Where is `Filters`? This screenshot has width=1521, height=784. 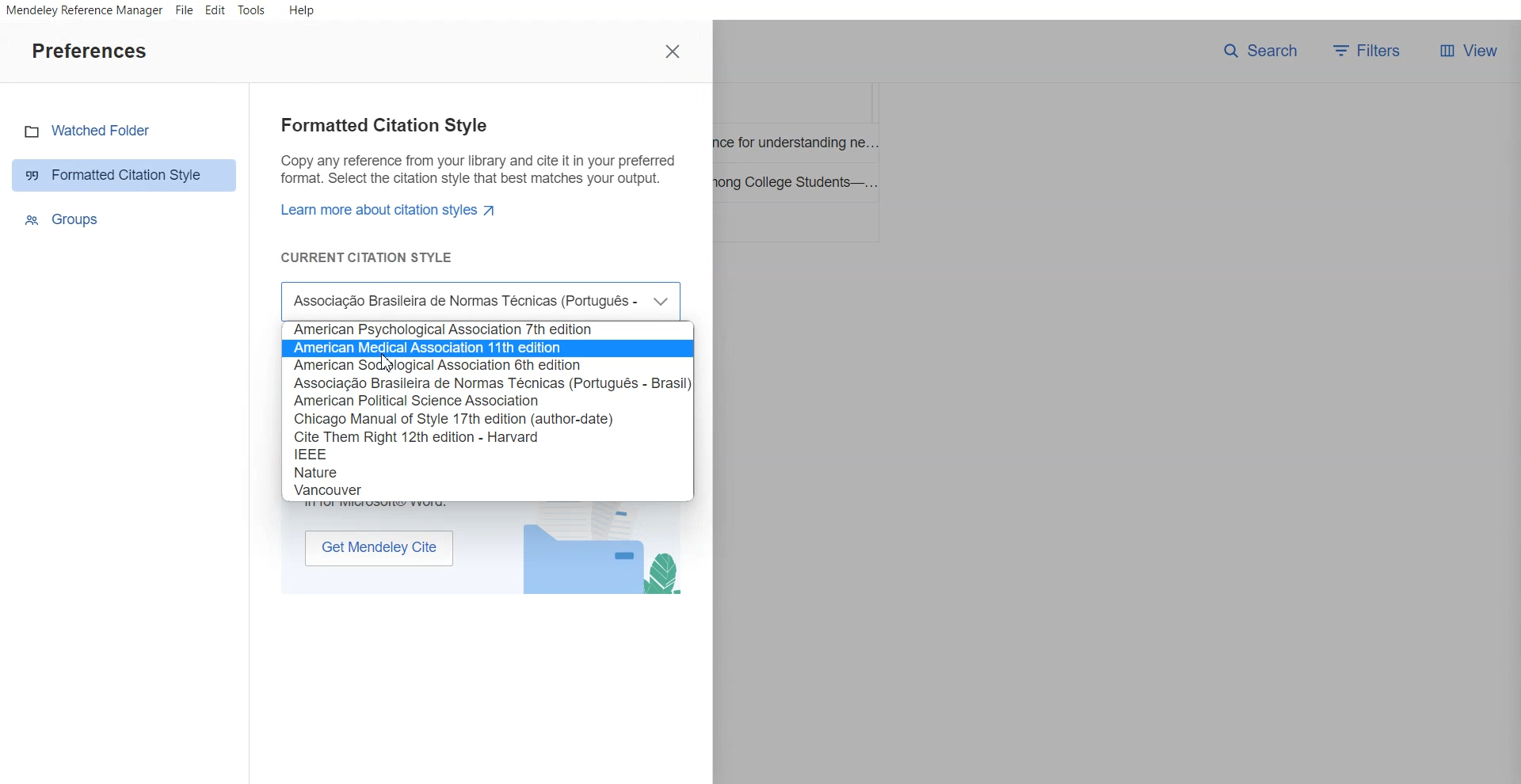 Filters is located at coordinates (1371, 51).